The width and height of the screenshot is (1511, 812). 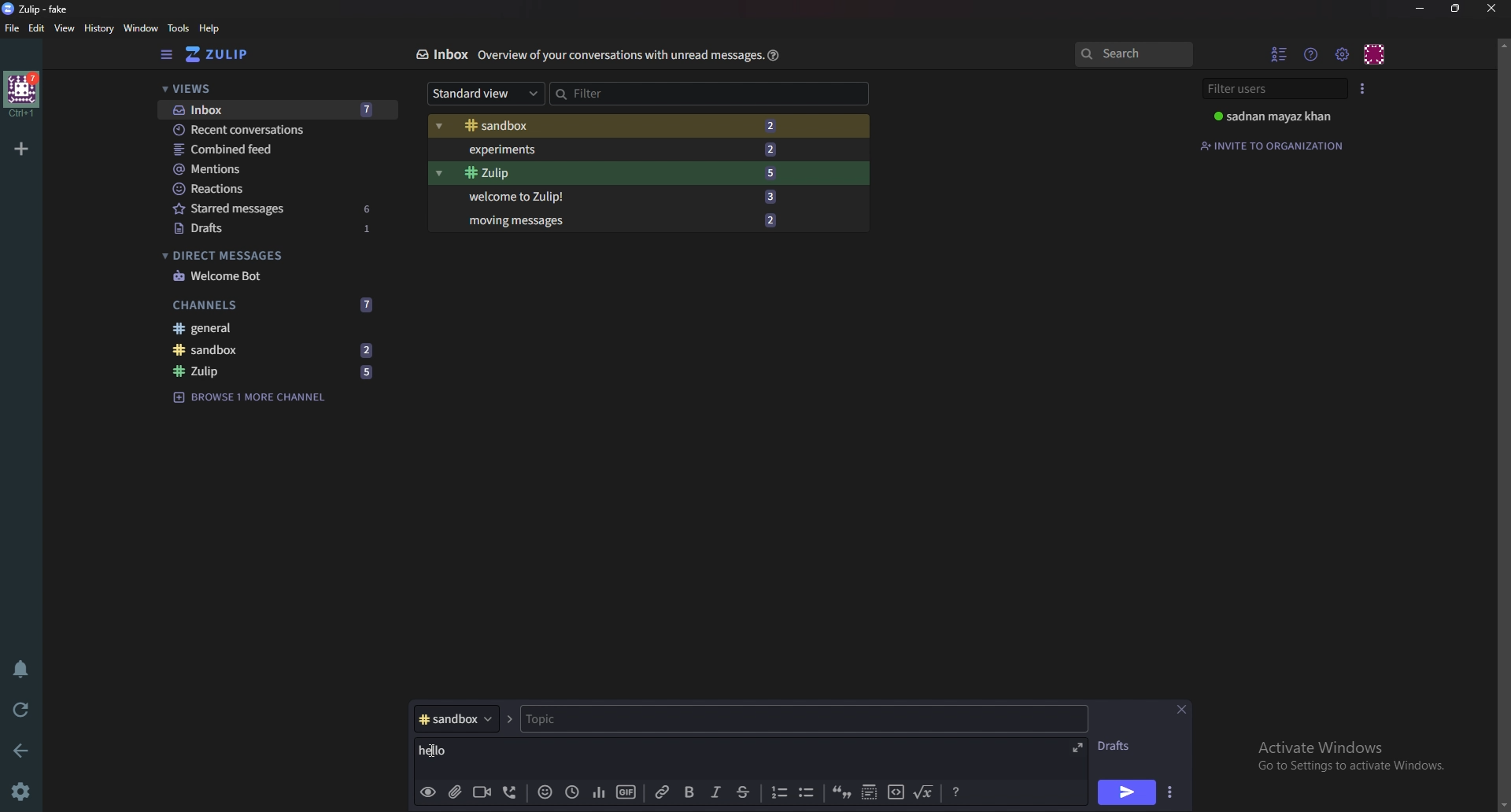 What do you see at coordinates (20, 148) in the screenshot?
I see `Add organization` at bounding box center [20, 148].